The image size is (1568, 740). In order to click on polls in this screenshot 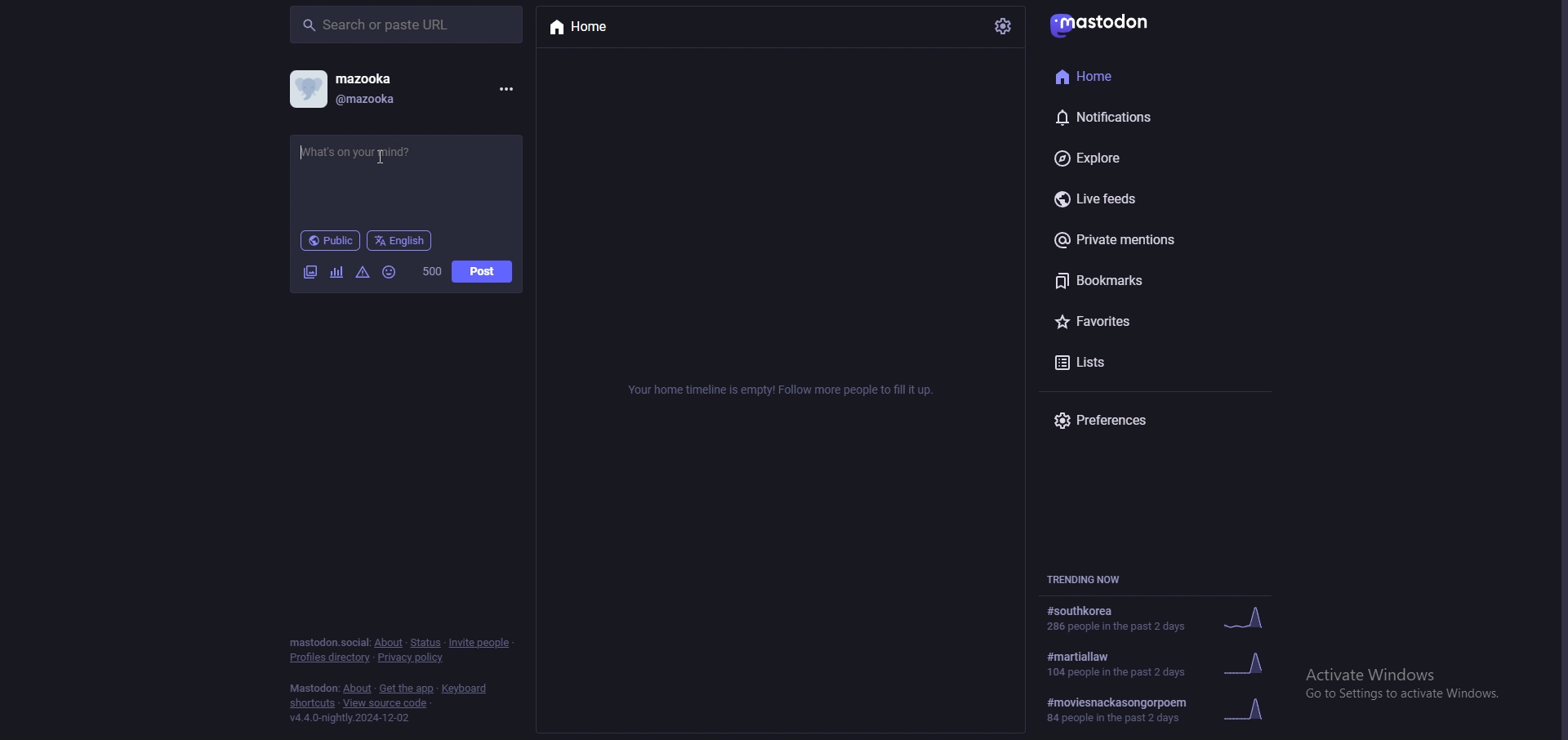, I will do `click(338, 274)`.